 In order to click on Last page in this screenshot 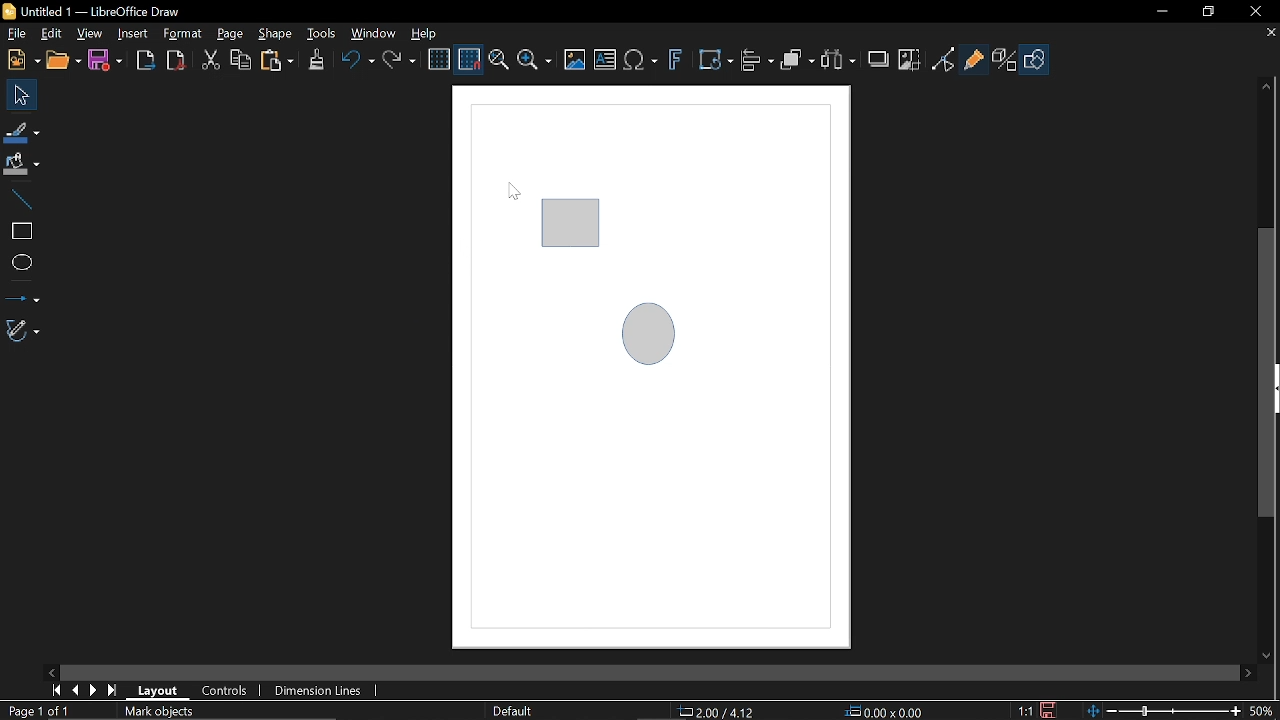, I will do `click(115, 691)`.